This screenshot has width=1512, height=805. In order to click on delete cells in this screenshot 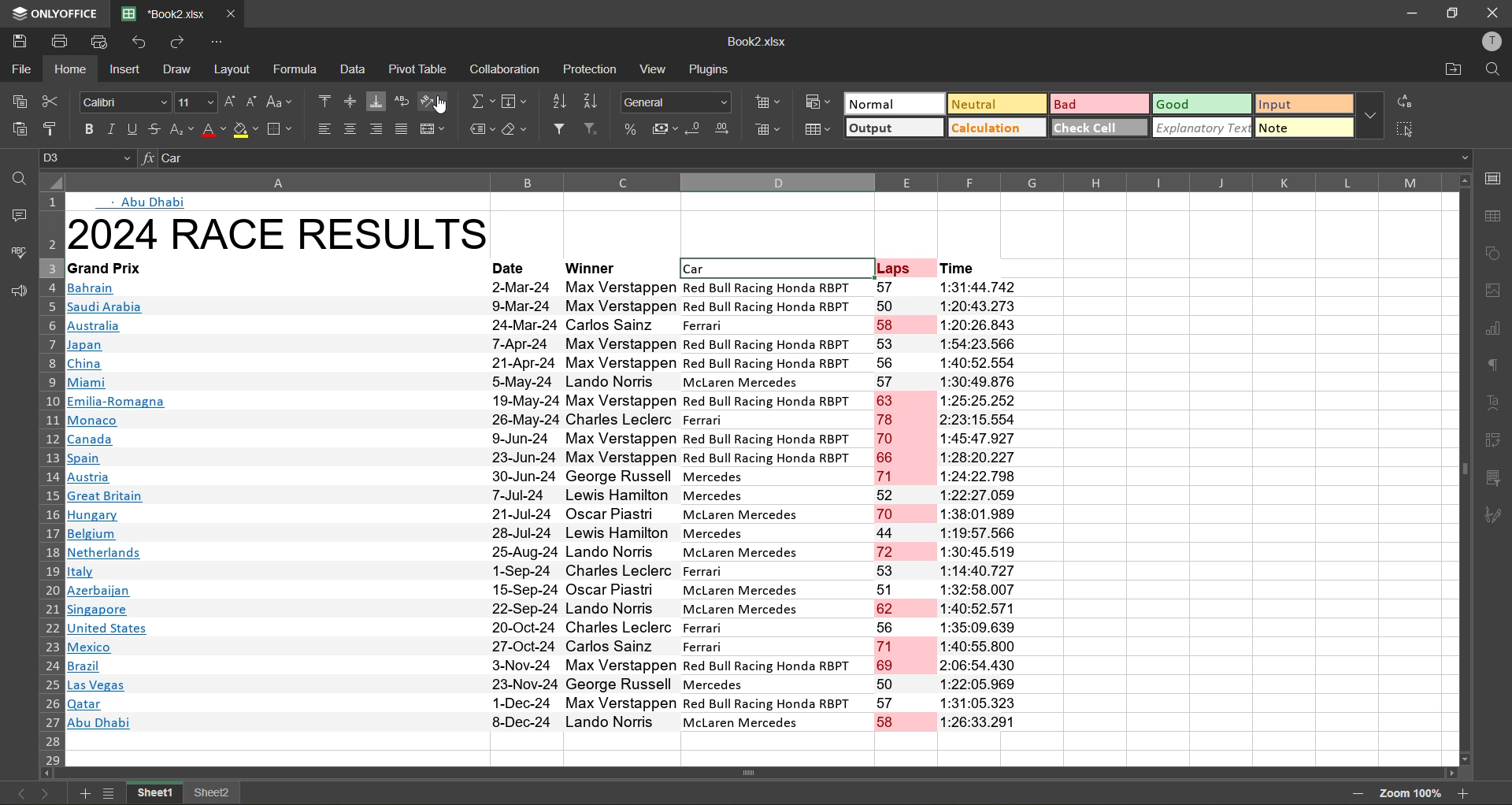, I will do `click(769, 128)`.